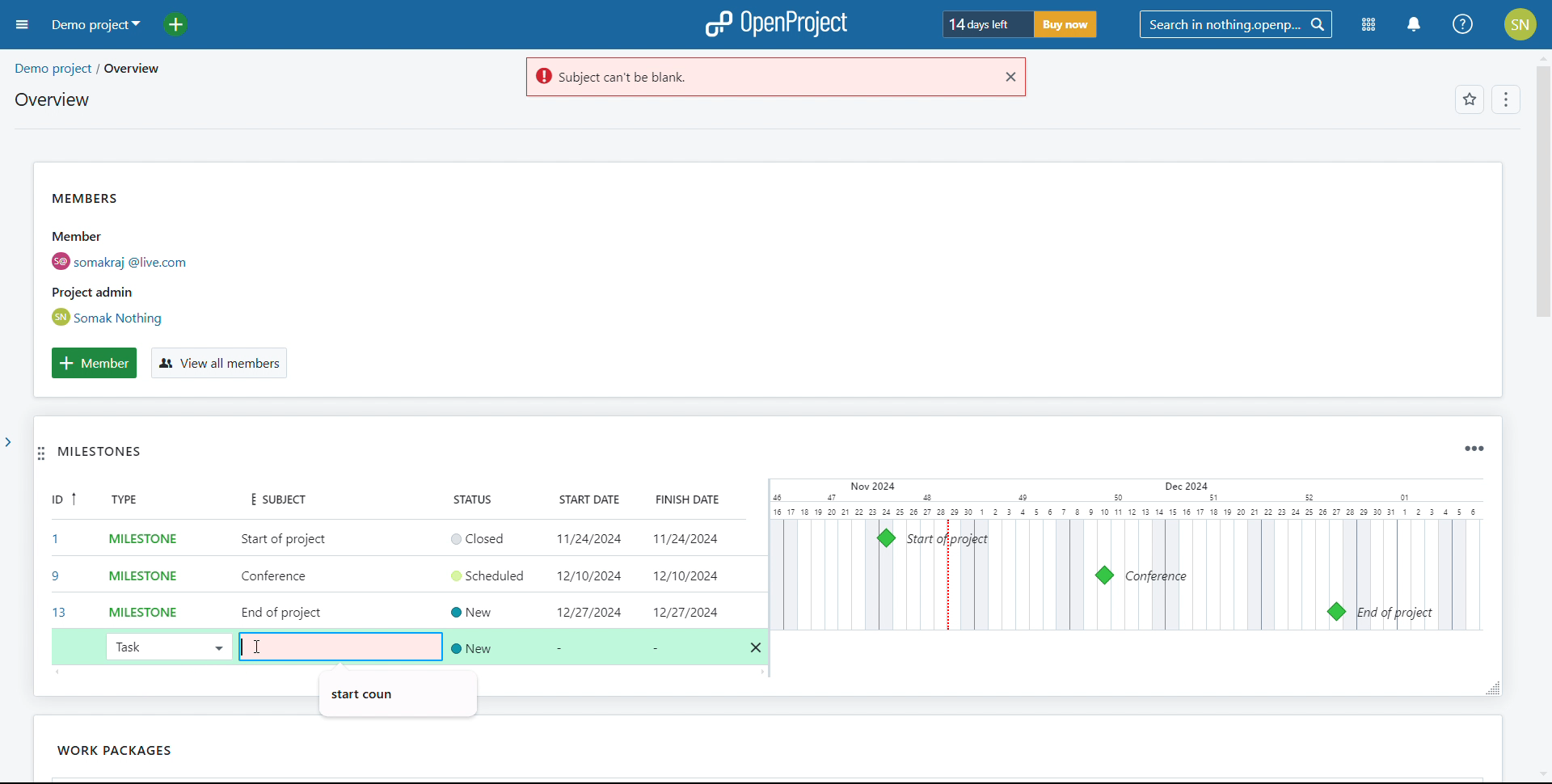 Image resolution: width=1552 pixels, height=784 pixels. I want to click on milestone 9, so click(1104, 575).